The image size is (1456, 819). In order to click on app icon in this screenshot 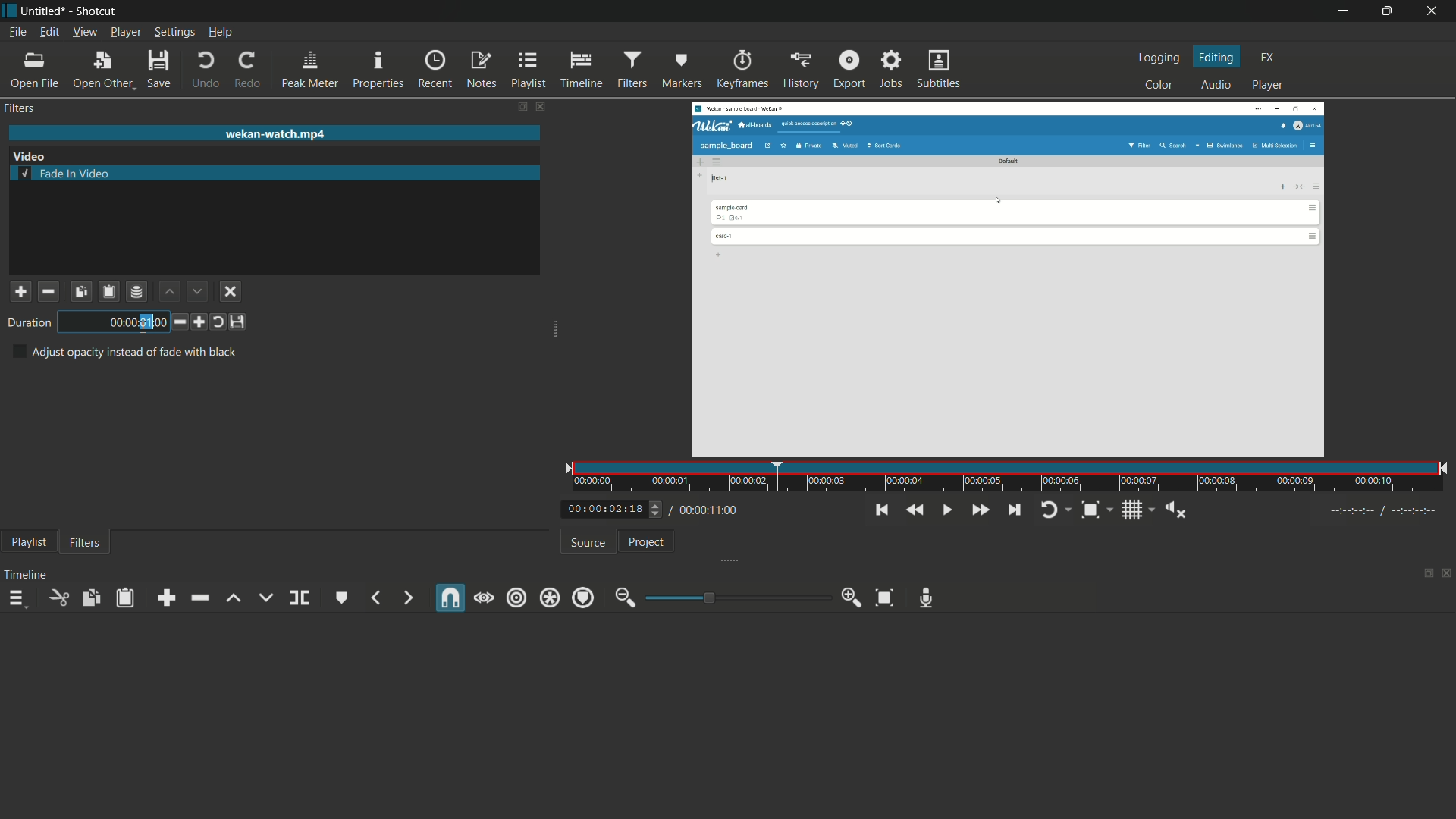, I will do `click(9, 11)`.